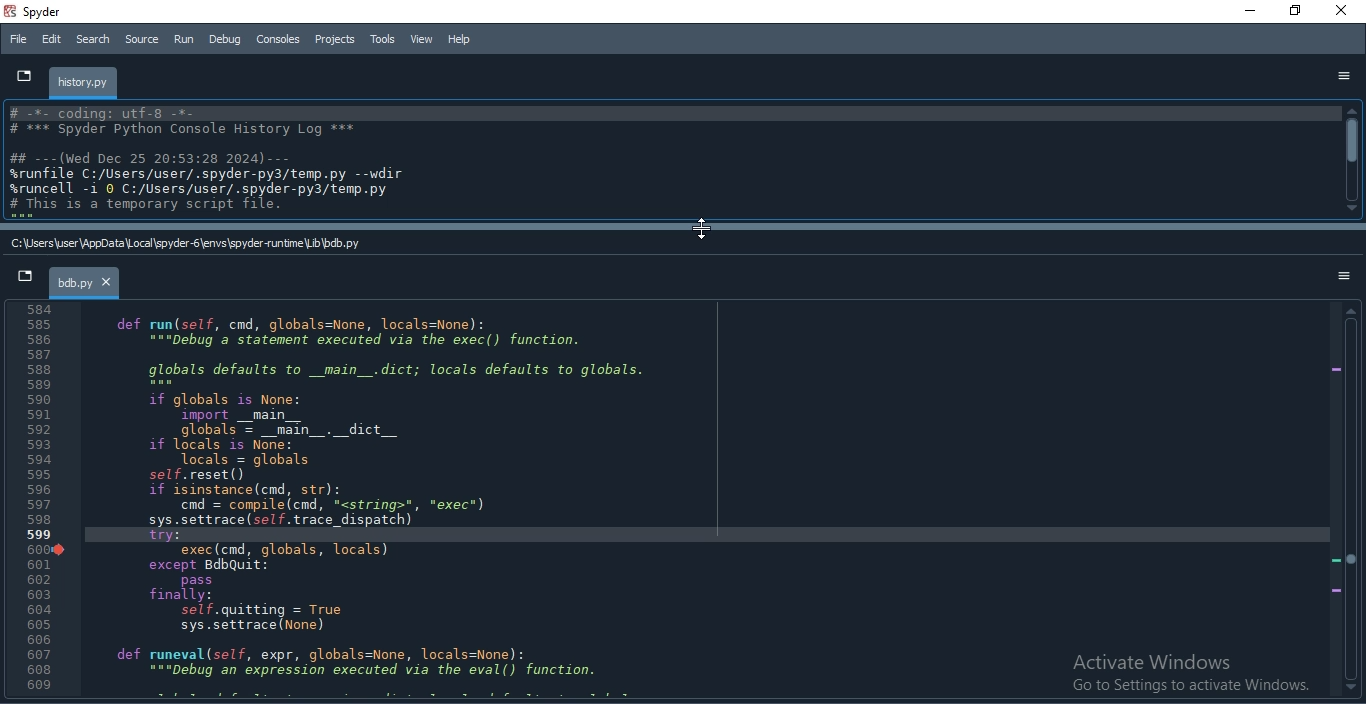 The height and width of the screenshot is (704, 1366). I want to click on C:\Users\user \AppData | ocal \spyder-6 \envs\spyder runtime \Lib\bdb.py, so click(183, 244).